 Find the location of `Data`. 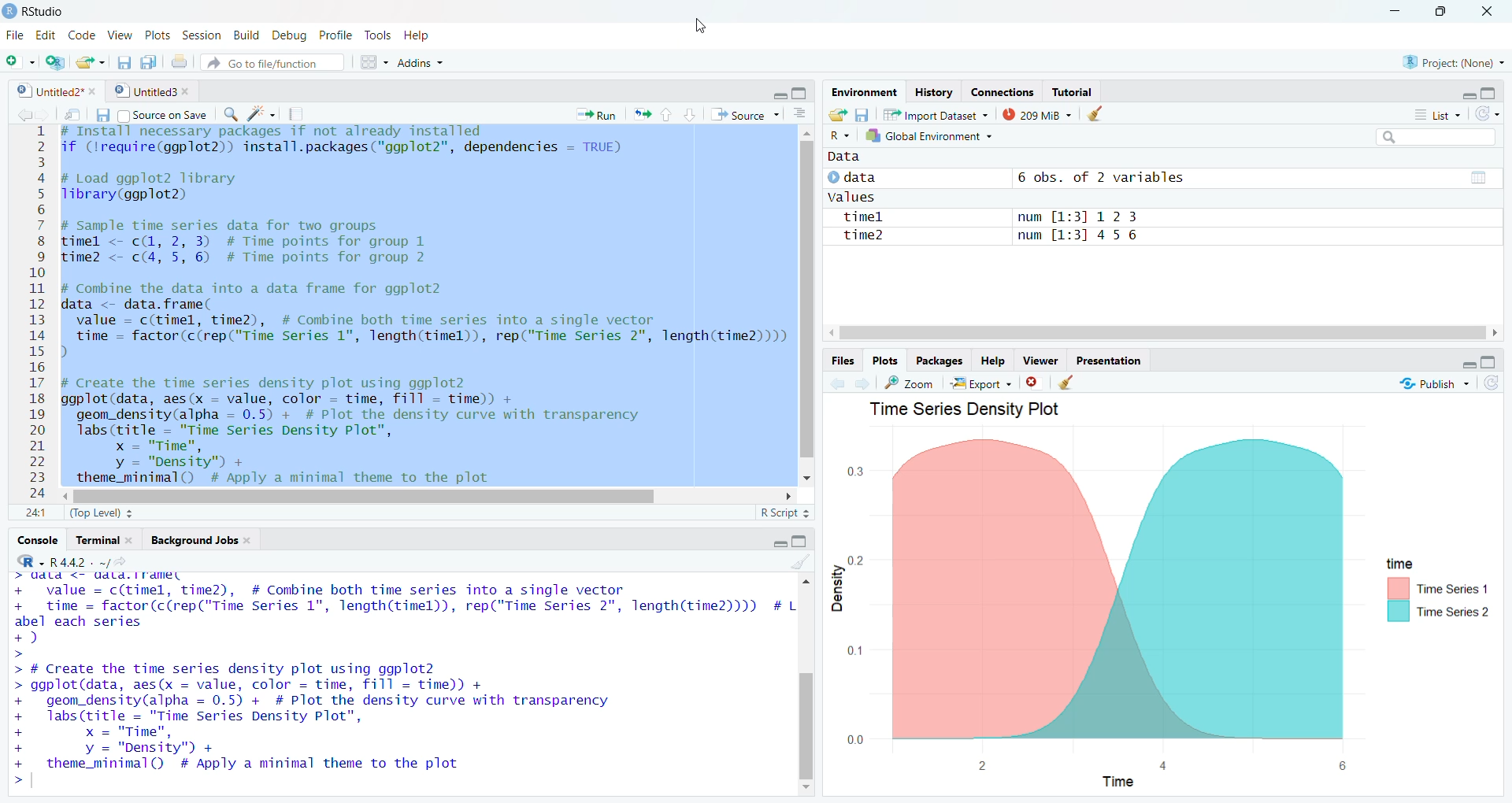

Data is located at coordinates (844, 156).